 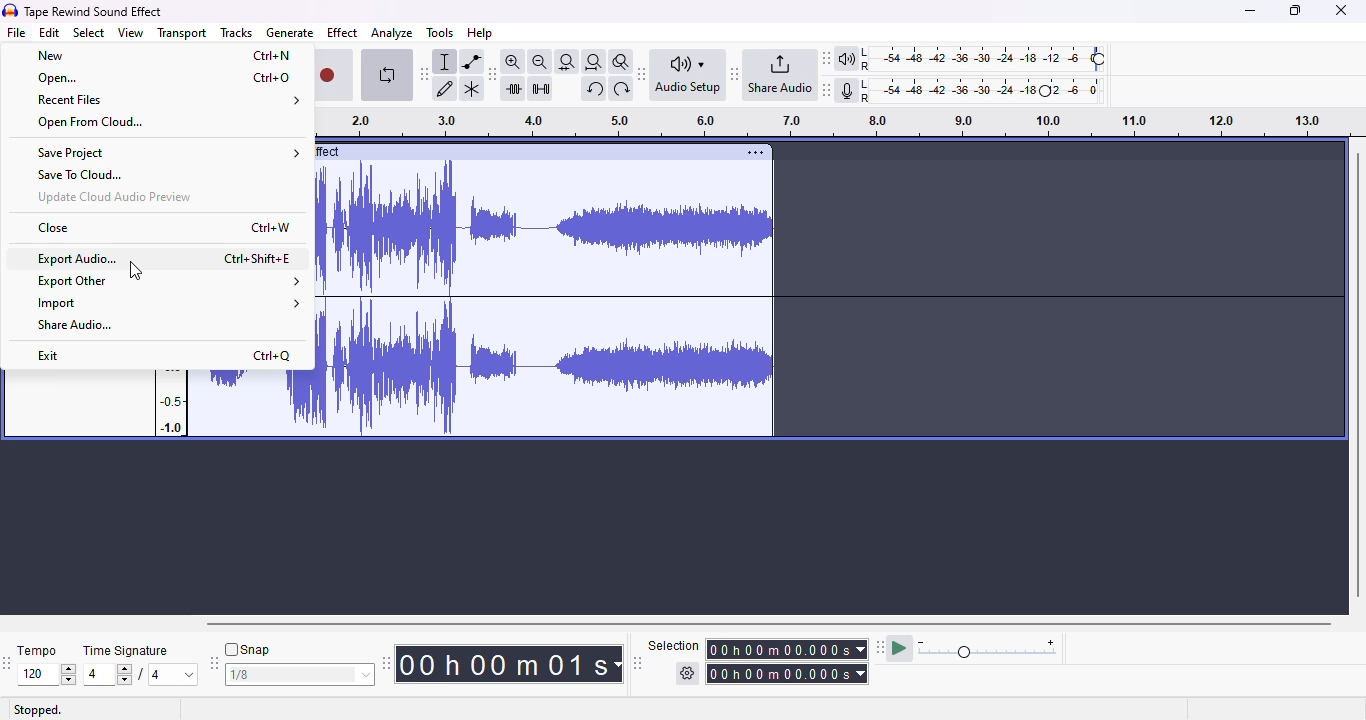 What do you see at coordinates (50, 32) in the screenshot?
I see `edit` at bounding box center [50, 32].